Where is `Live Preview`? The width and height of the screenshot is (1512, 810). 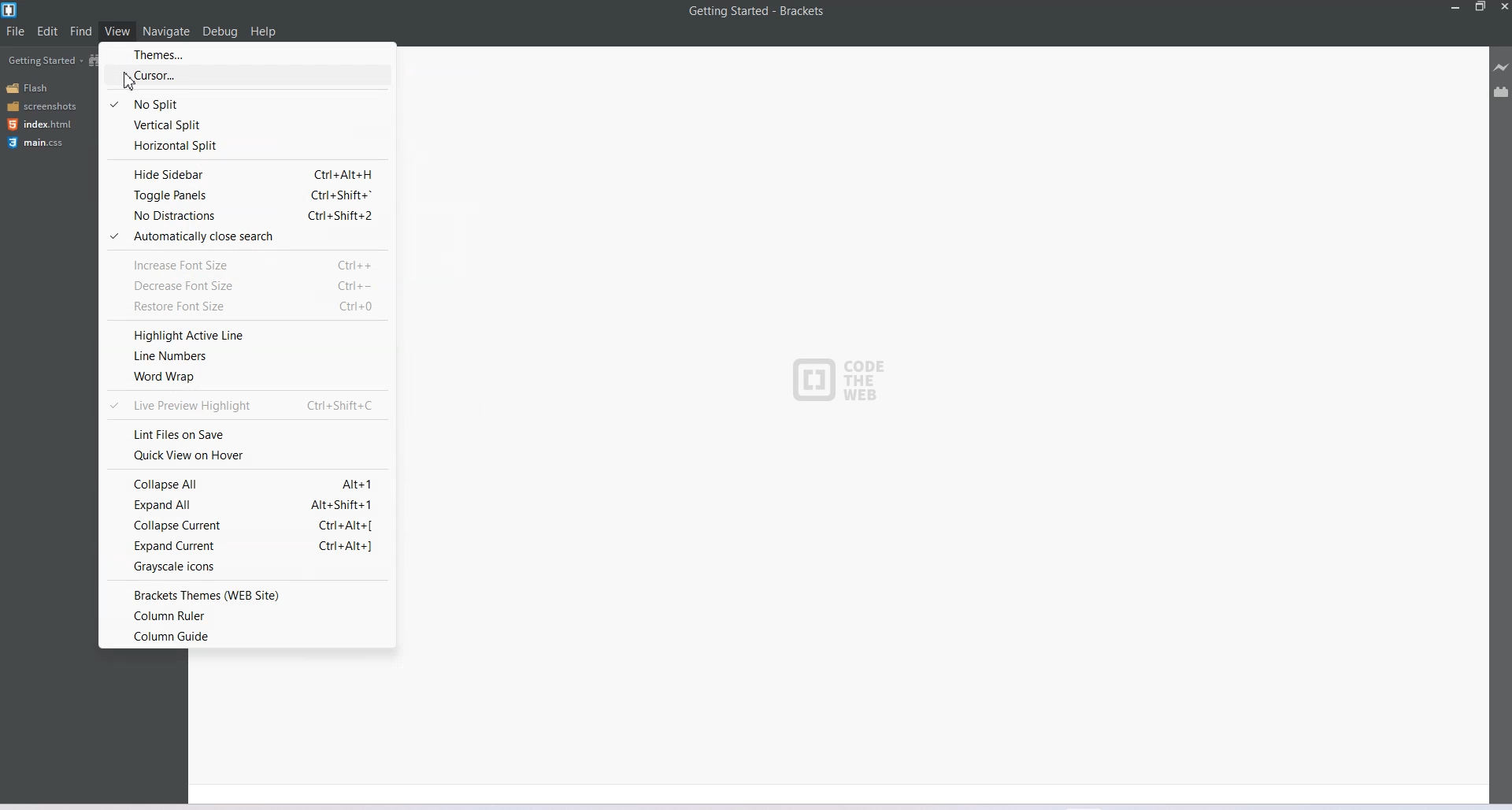
Live Preview is located at coordinates (1501, 67).